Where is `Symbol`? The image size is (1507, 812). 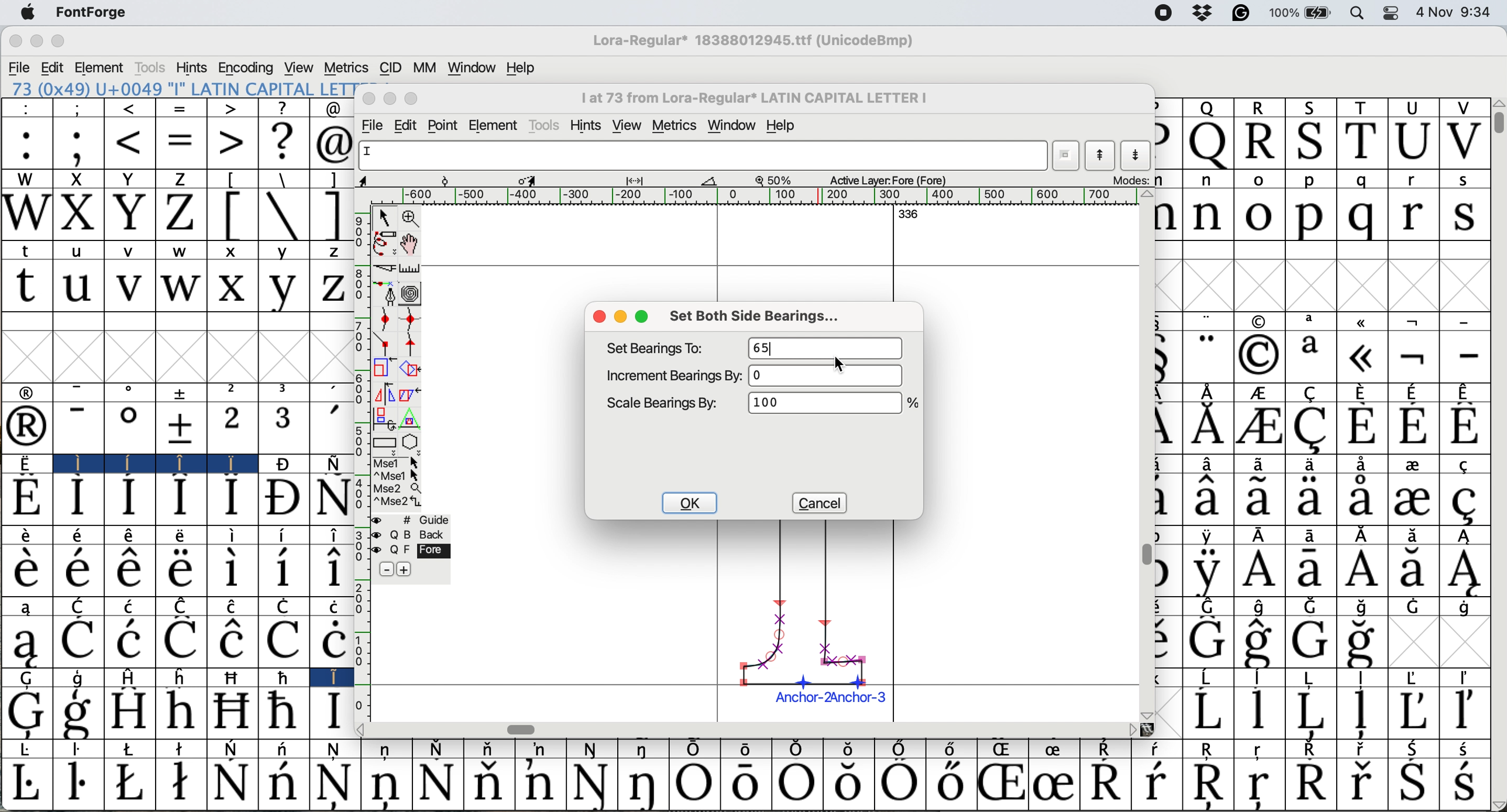
Symbol is located at coordinates (232, 498).